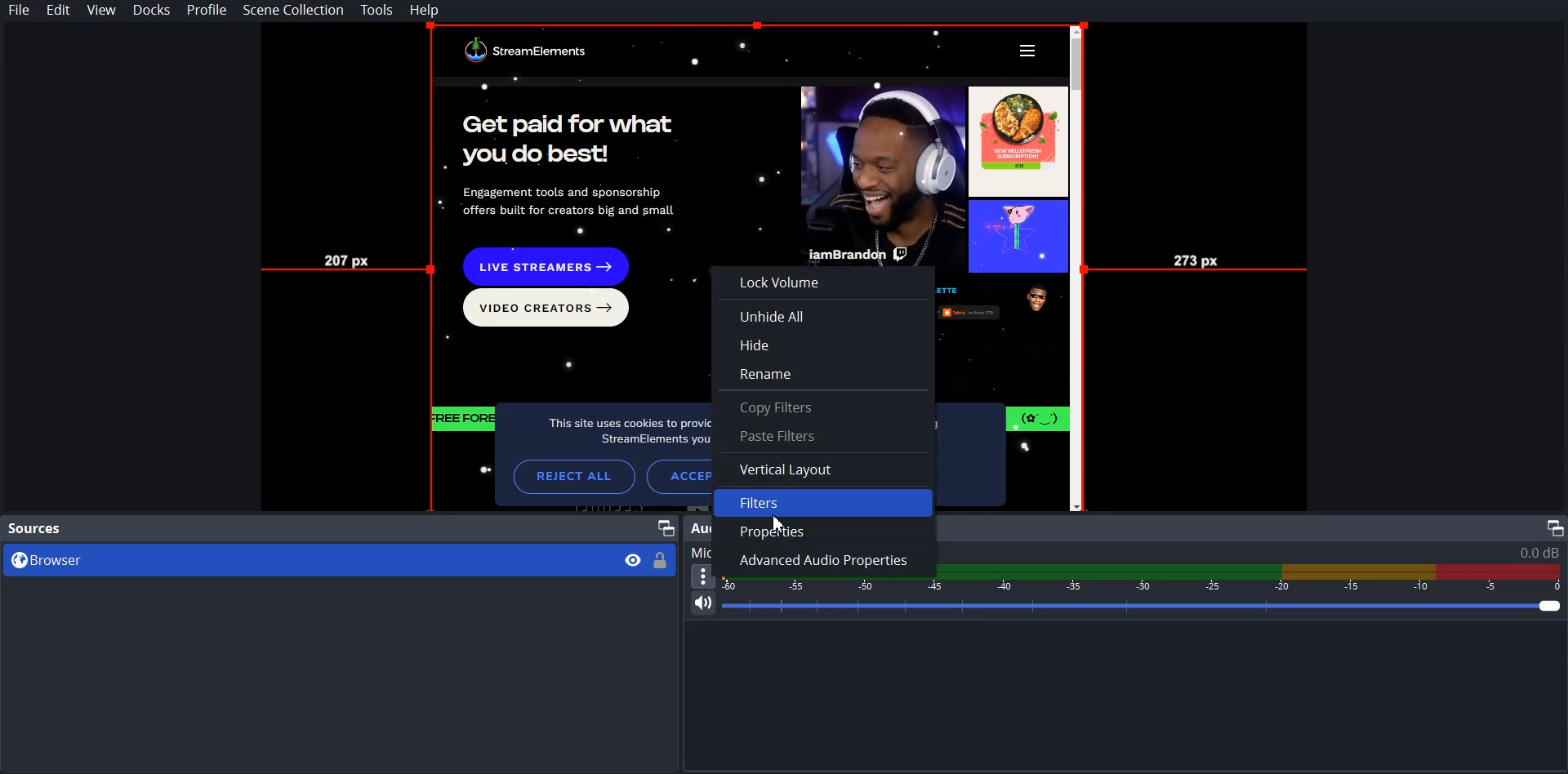 This screenshot has height=774, width=1568. I want to click on 0.0 db, so click(1539, 553).